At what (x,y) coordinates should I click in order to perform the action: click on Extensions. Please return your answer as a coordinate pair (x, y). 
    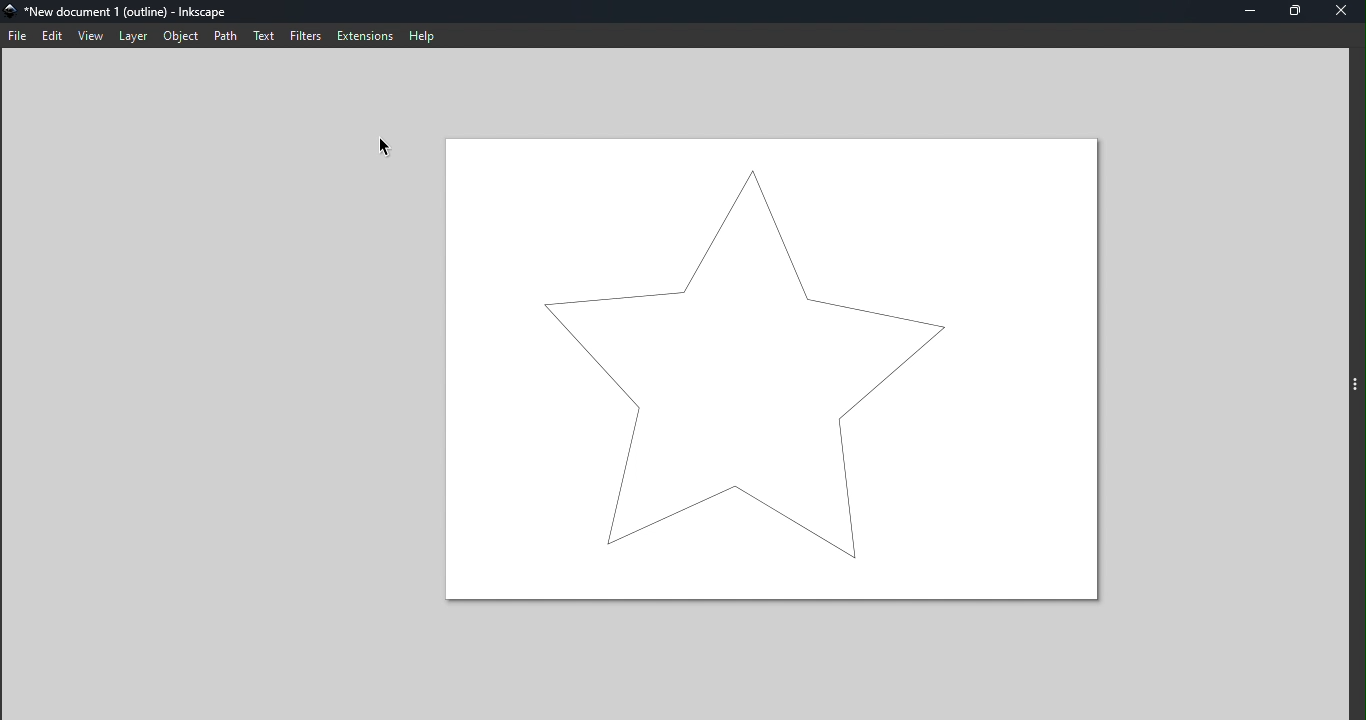
    Looking at the image, I should click on (363, 36).